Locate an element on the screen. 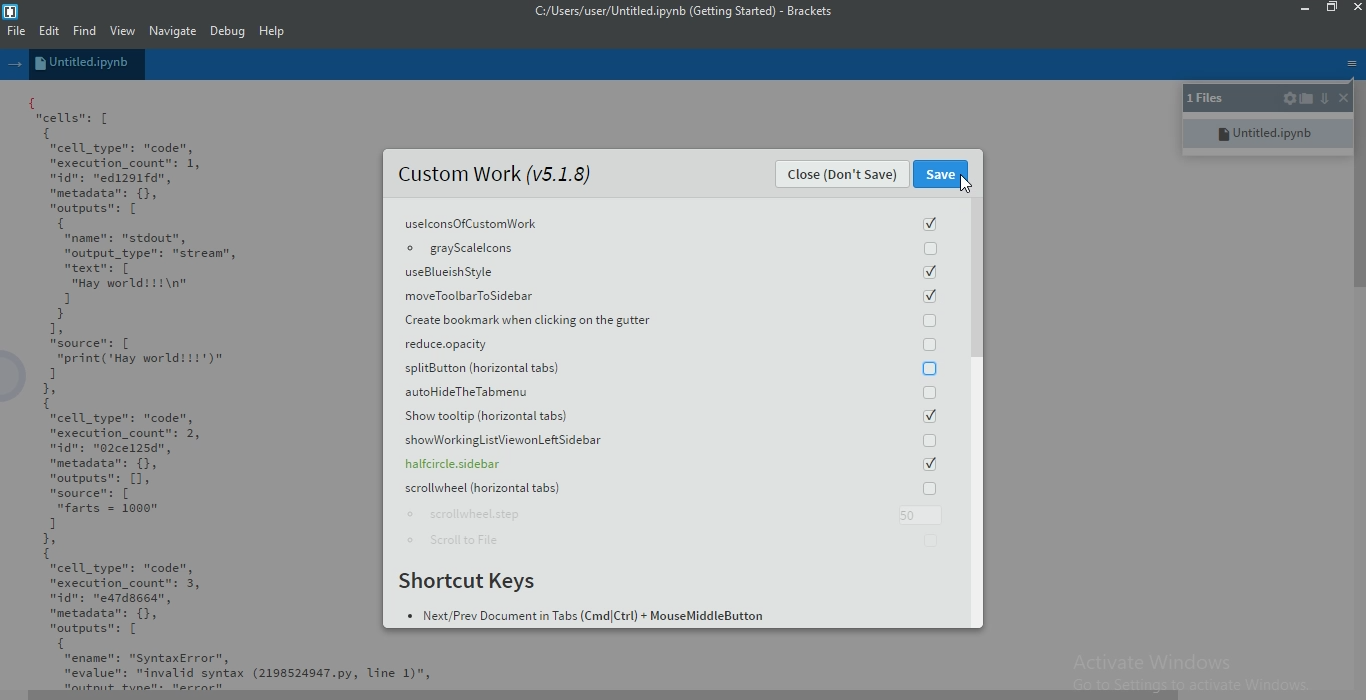 Image resolution: width=1366 pixels, height=700 pixels. useBlueish Style is located at coordinates (671, 274).